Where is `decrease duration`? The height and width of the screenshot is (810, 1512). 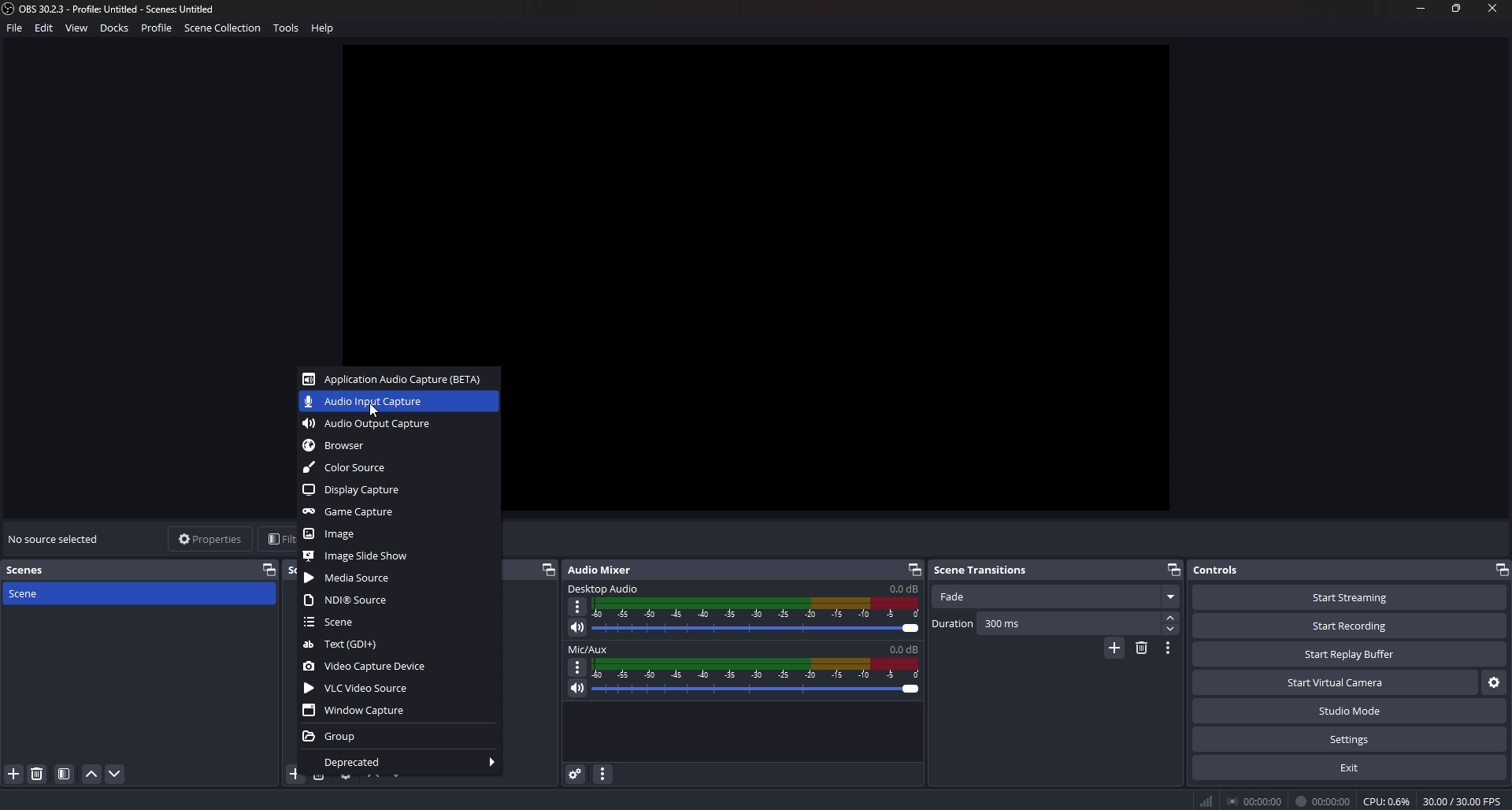 decrease duration is located at coordinates (1171, 629).